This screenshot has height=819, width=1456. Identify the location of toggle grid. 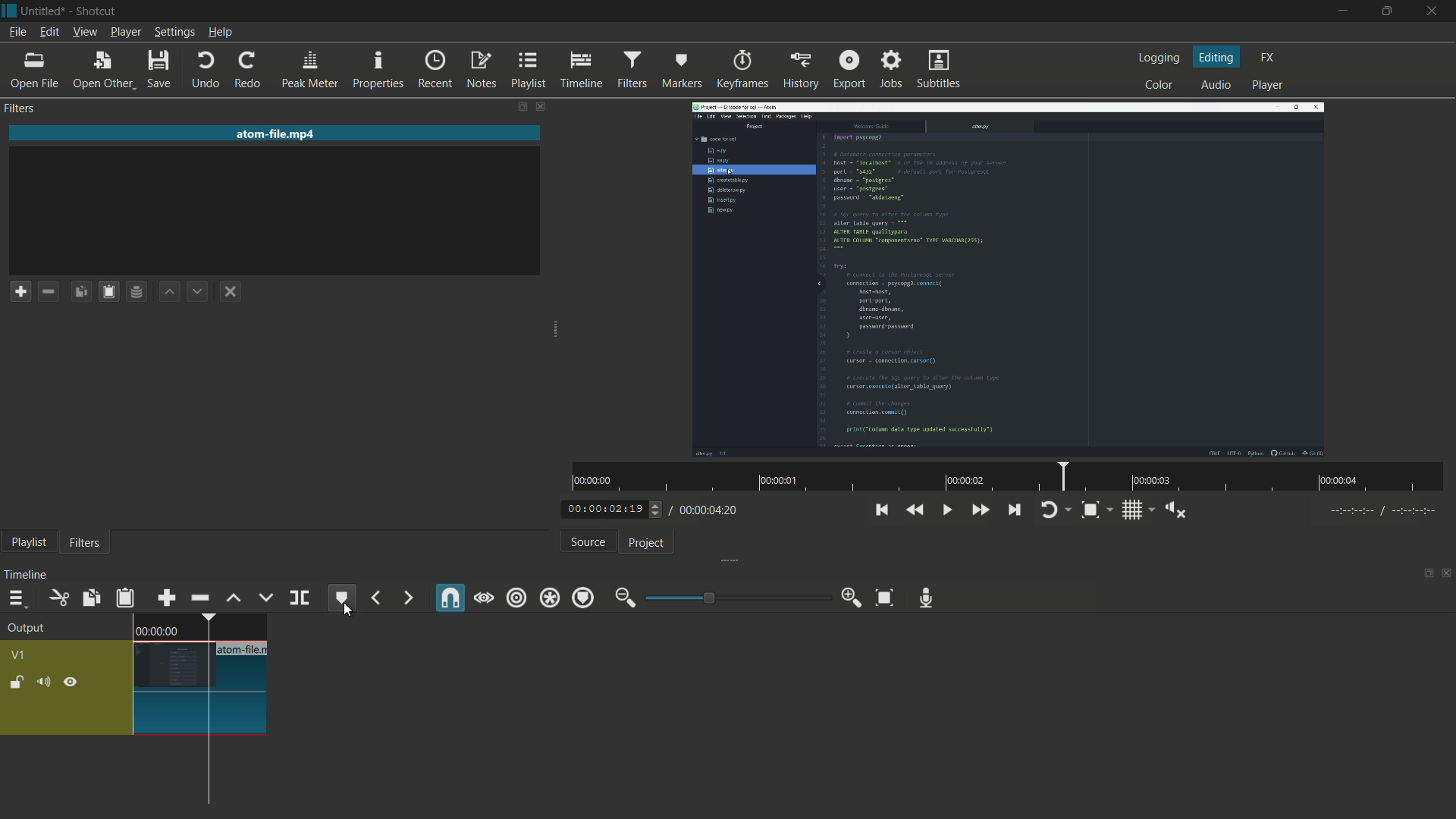
(1132, 510).